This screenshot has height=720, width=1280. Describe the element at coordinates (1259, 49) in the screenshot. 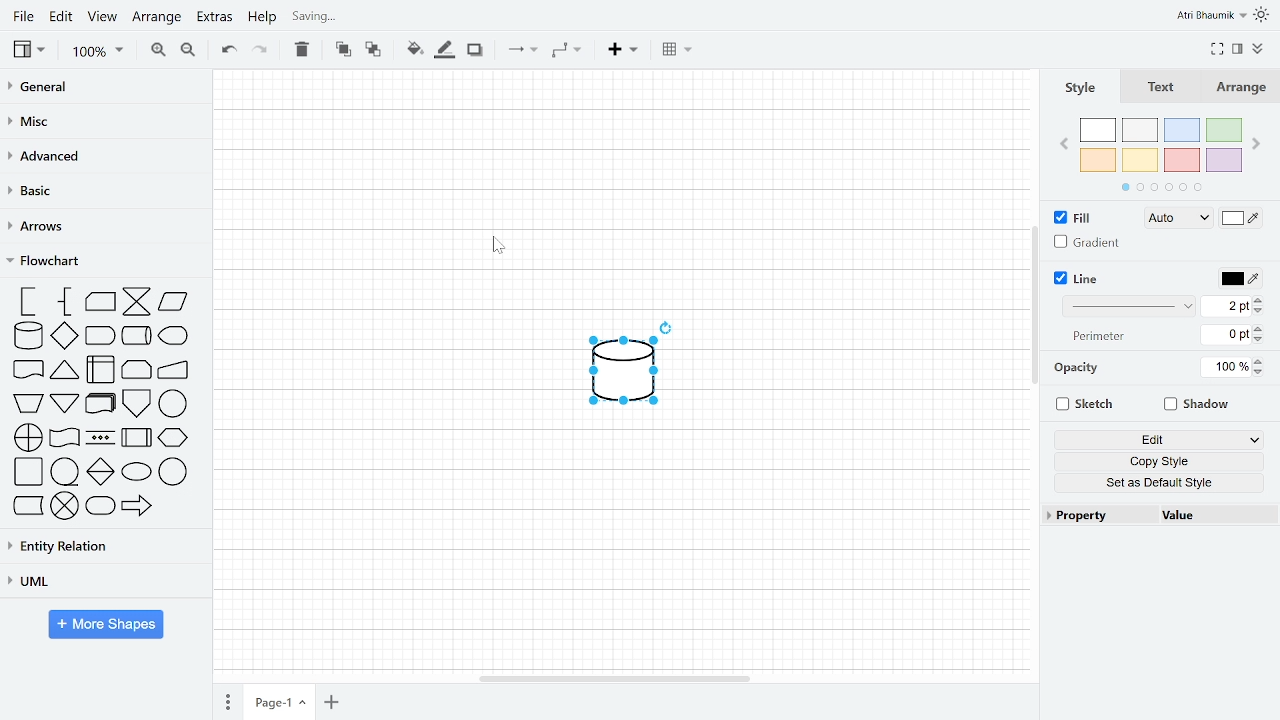

I see `Collapse` at that location.